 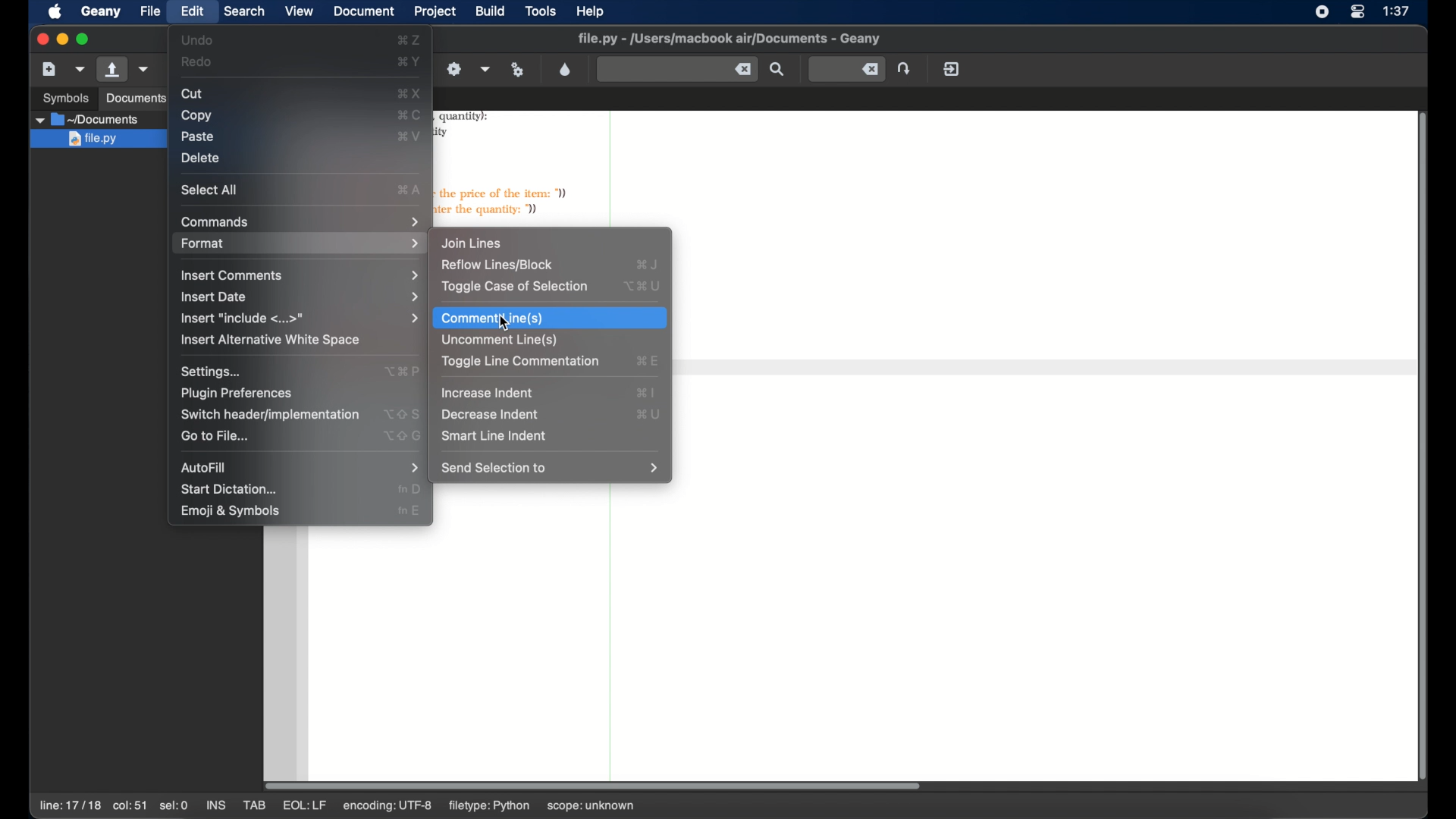 What do you see at coordinates (519, 69) in the screenshot?
I see `run or view current file` at bounding box center [519, 69].